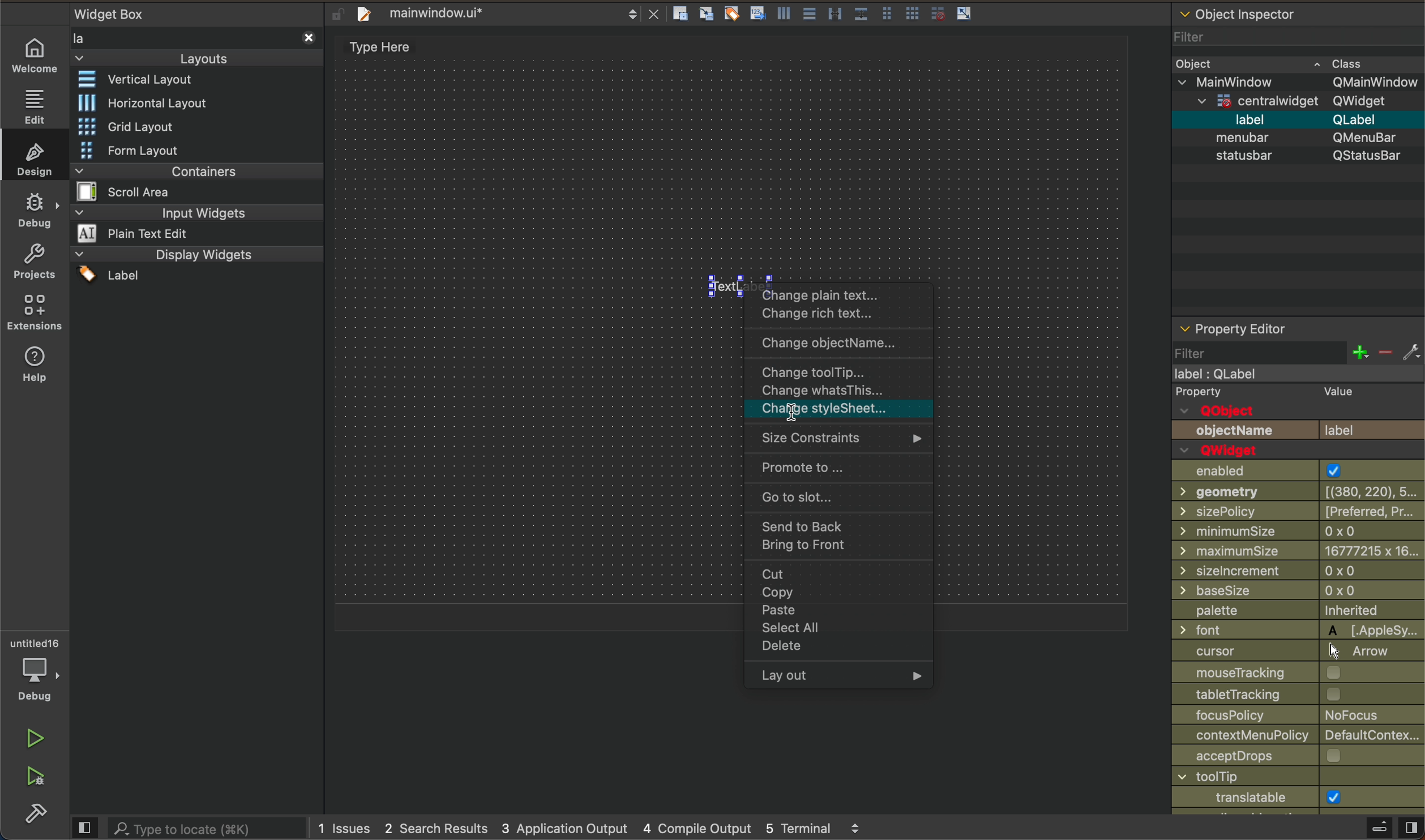 The image size is (1425, 840). What do you see at coordinates (195, 211) in the screenshot?
I see `input widgets` at bounding box center [195, 211].